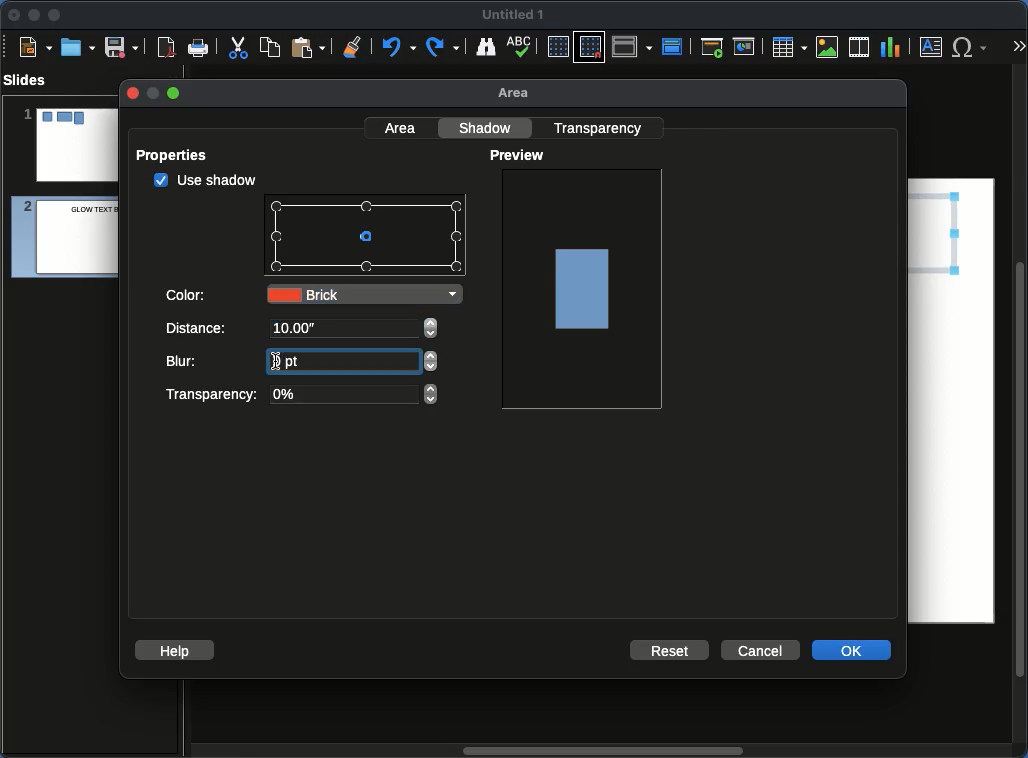 Image resolution: width=1028 pixels, height=758 pixels. Describe the element at coordinates (299, 395) in the screenshot. I see `Transparency` at that location.